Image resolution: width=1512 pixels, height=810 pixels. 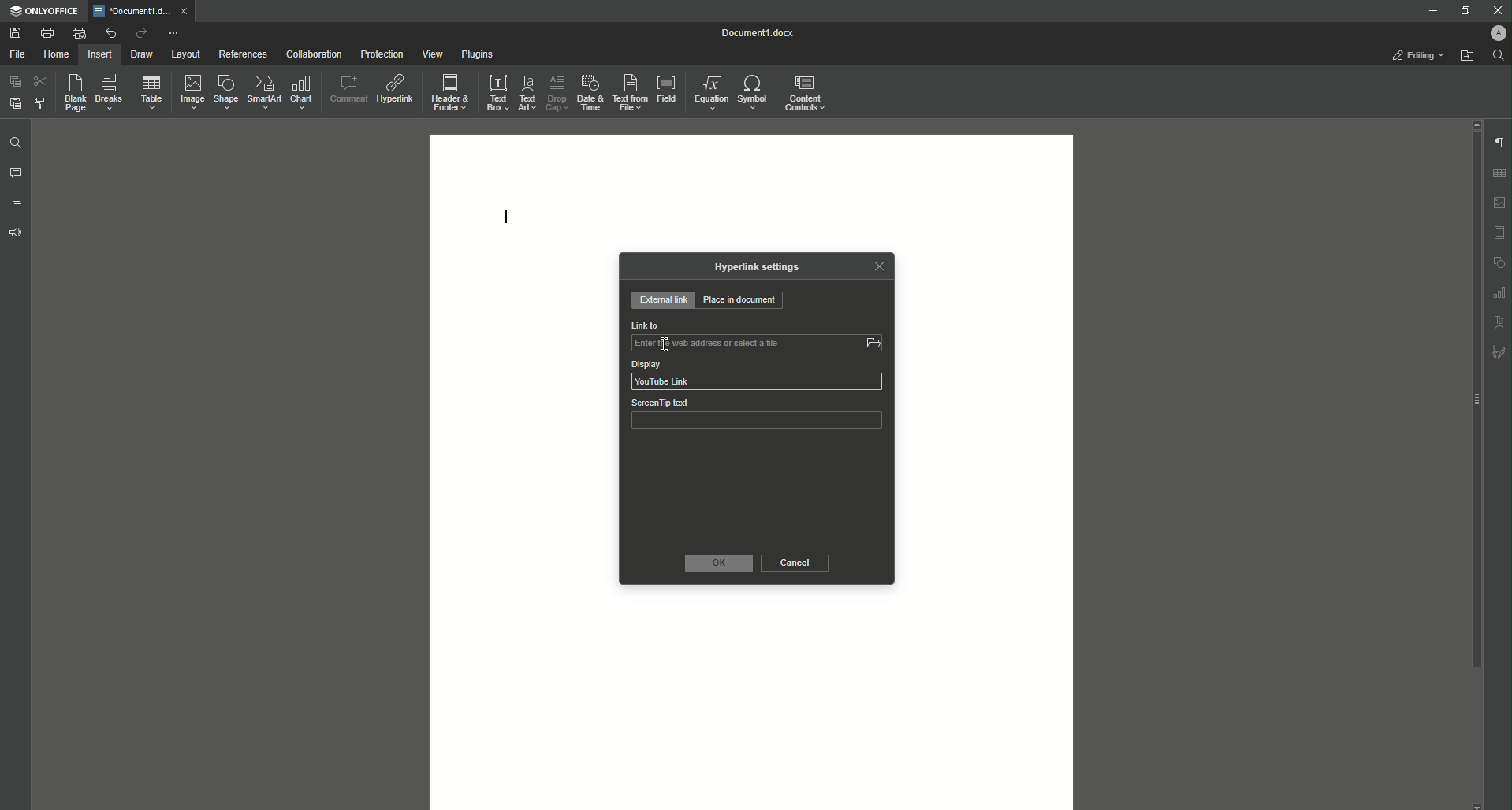 What do you see at coordinates (711, 92) in the screenshot?
I see `Equation` at bounding box center [711, 92].